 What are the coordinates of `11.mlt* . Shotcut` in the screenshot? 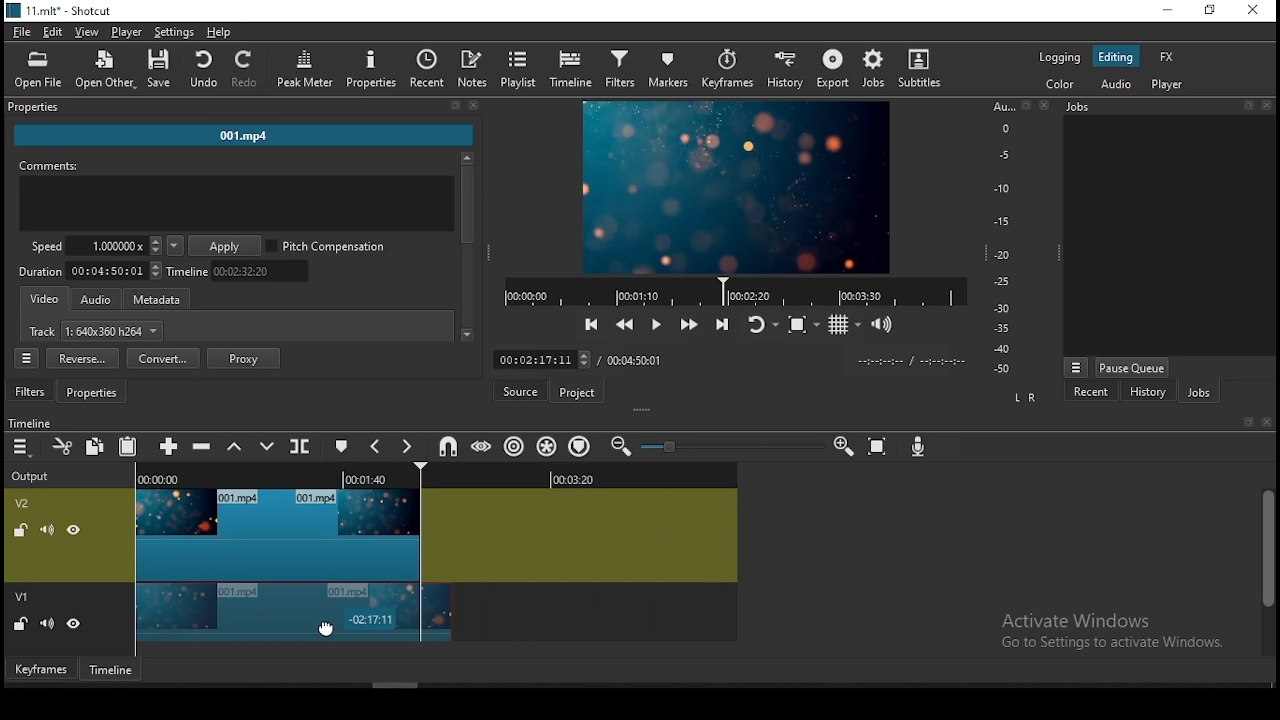 It's located at (59, 10).